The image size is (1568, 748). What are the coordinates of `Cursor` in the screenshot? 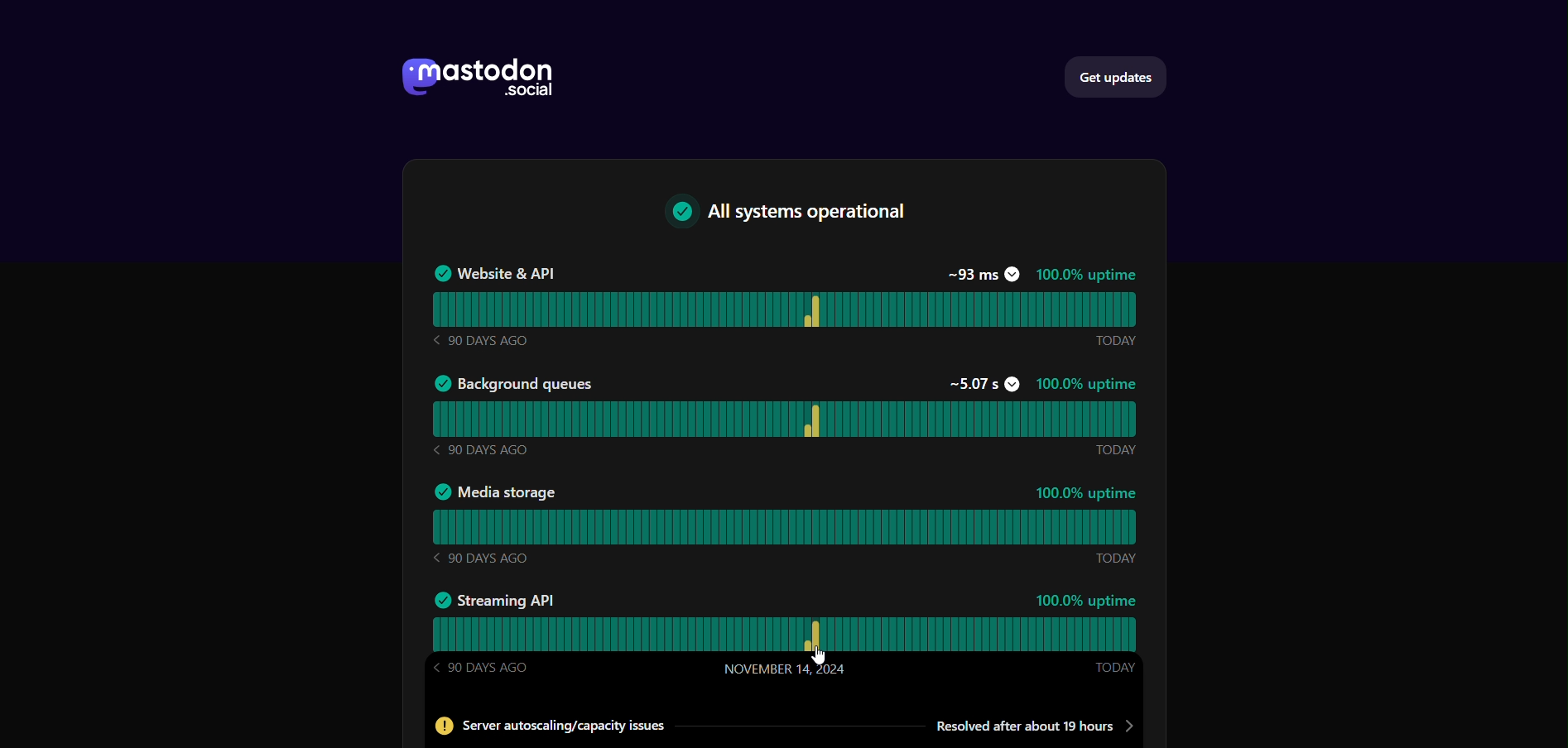 It's located at (820, 655).